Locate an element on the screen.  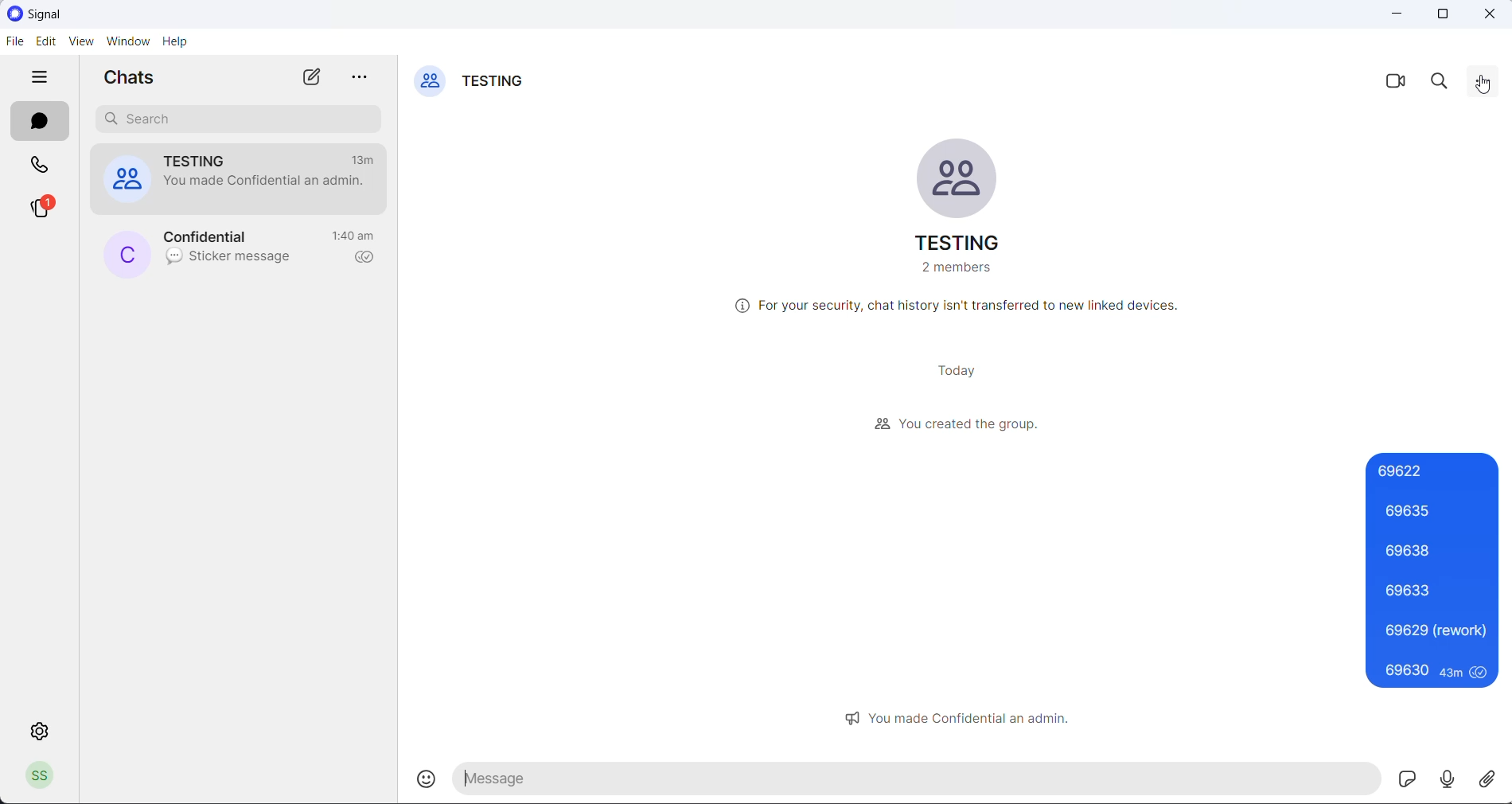
hide tabs is located at coordinates (43, 80).